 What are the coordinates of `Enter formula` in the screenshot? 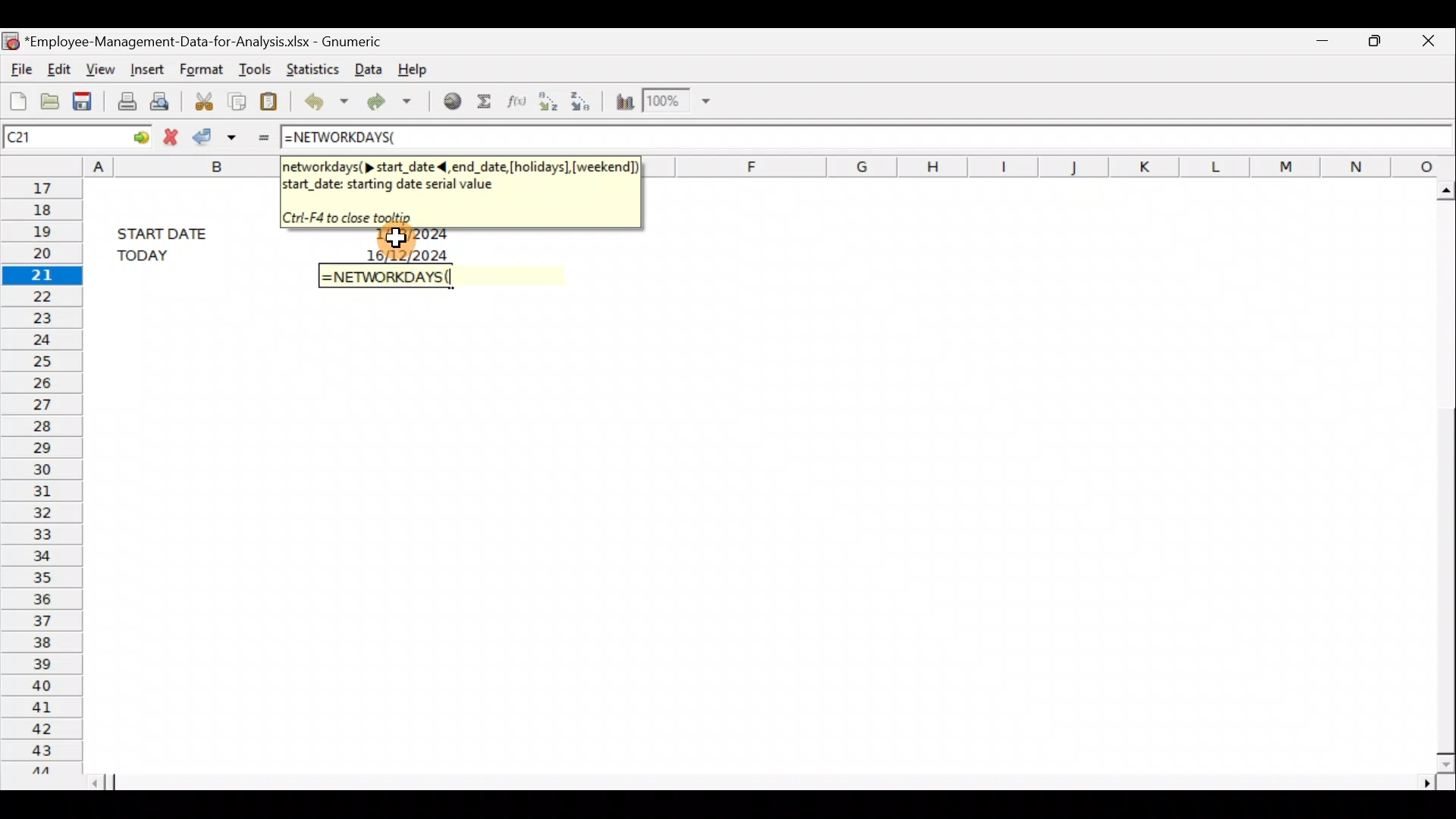 It's located at (260, 136).